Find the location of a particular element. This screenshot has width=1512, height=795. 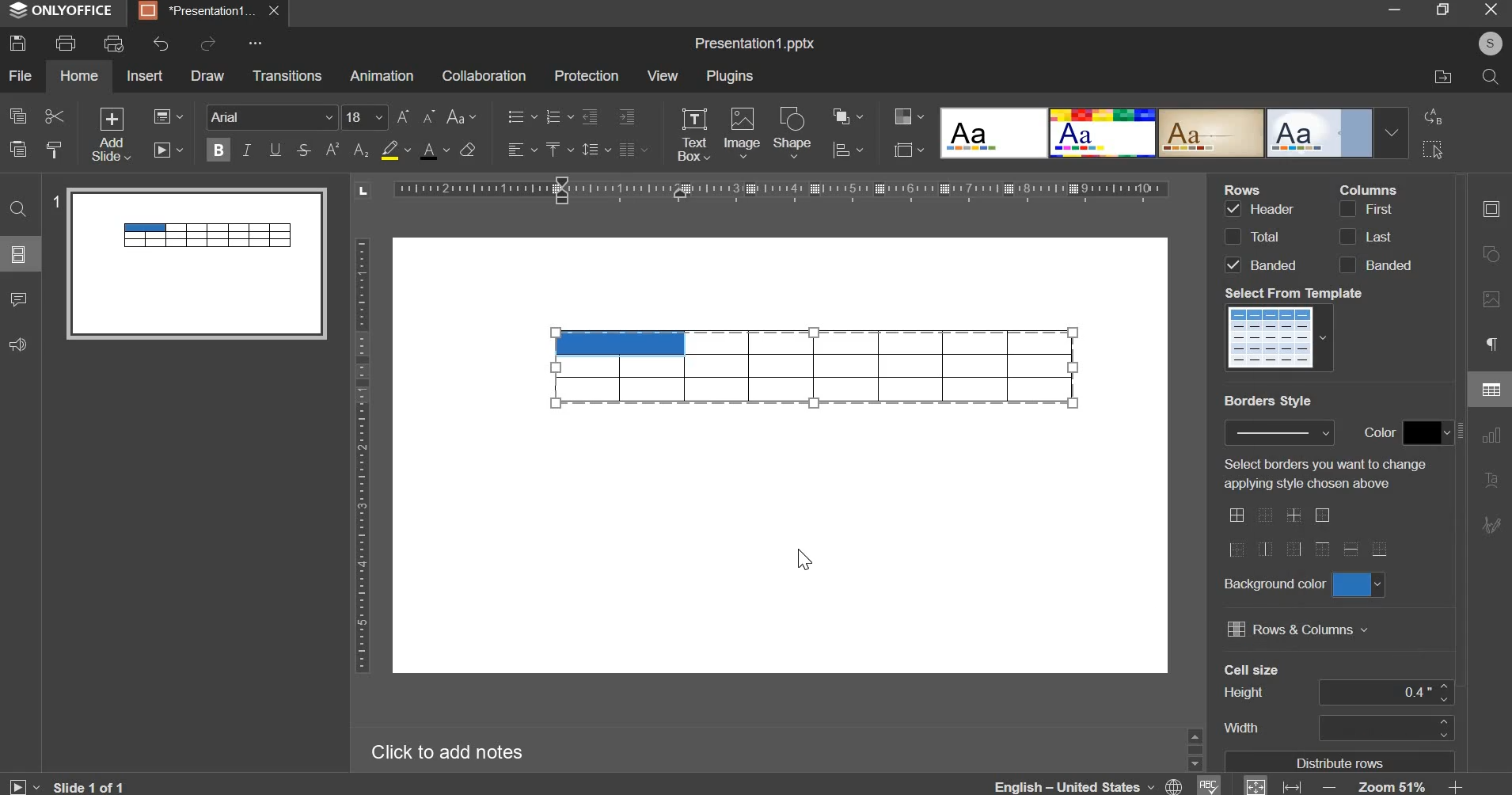

border color is located at coordinates (1427, 433).